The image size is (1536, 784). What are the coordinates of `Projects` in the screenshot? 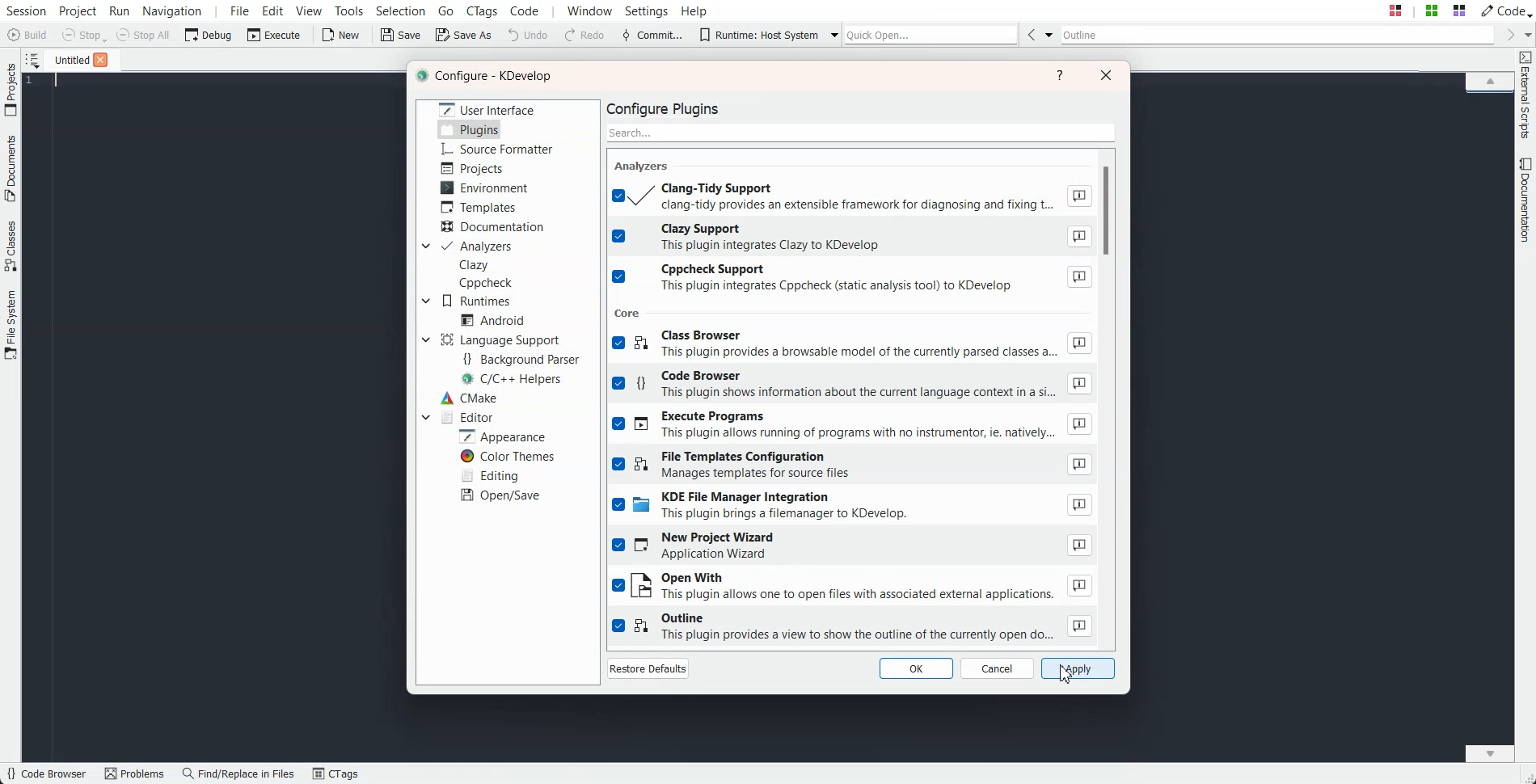 It's located at (474, 168).